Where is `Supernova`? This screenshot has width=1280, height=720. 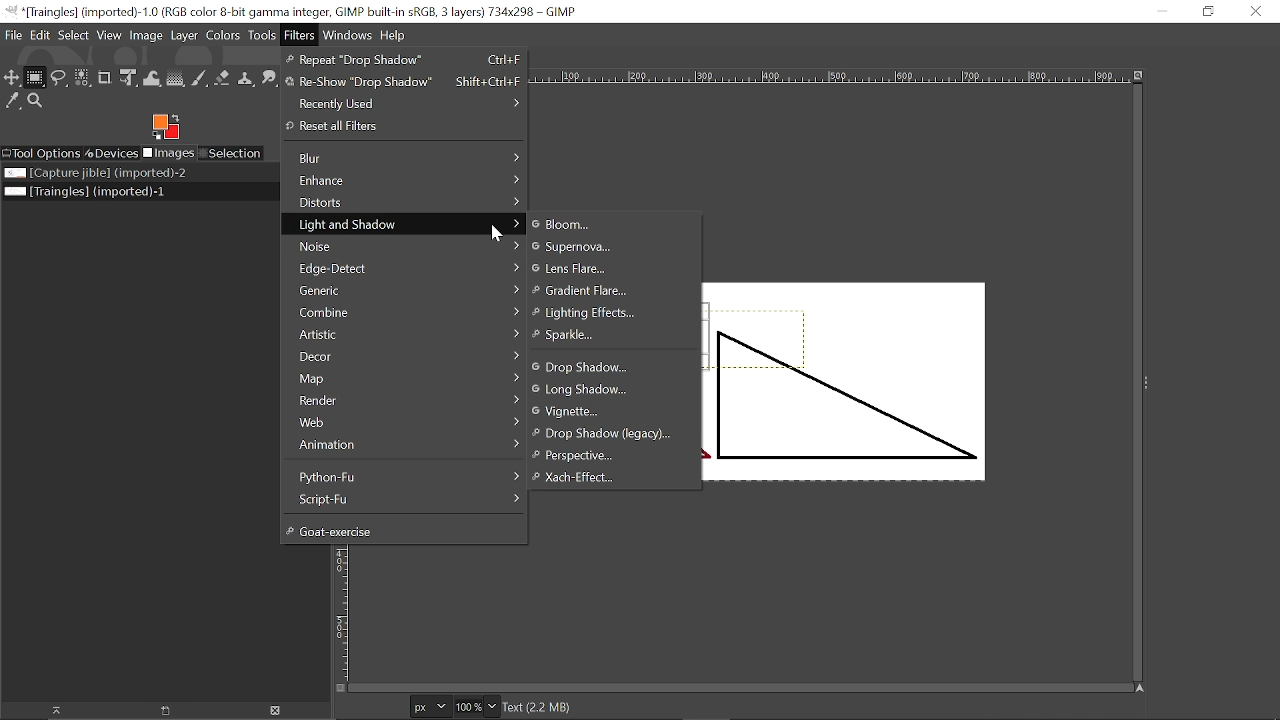 Supernova is located at coordinates (607, 247).